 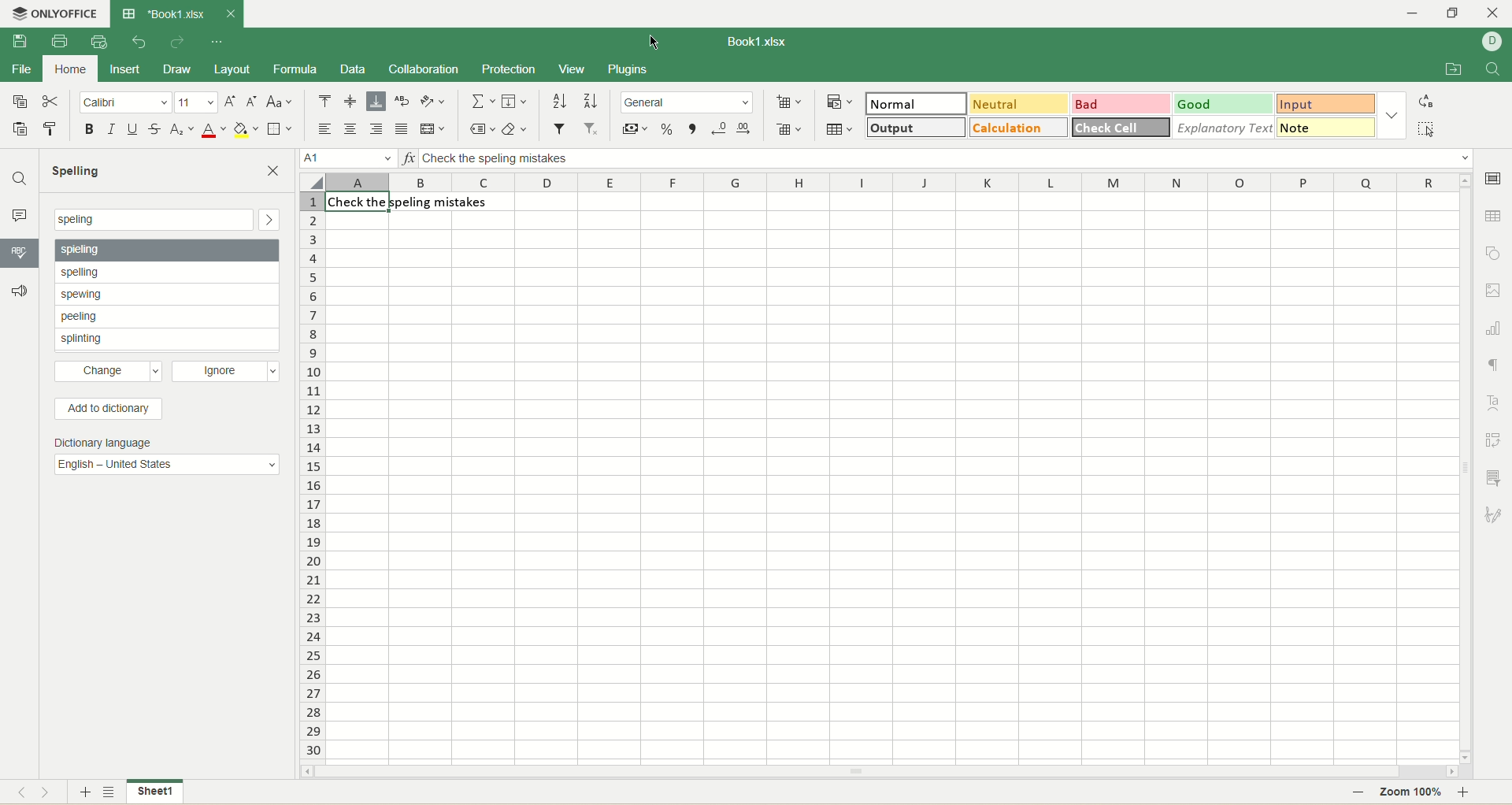 What do you see at coordinates (52, 129) in the screenshot?
I see `copy style` at bounding box center [52, 129].